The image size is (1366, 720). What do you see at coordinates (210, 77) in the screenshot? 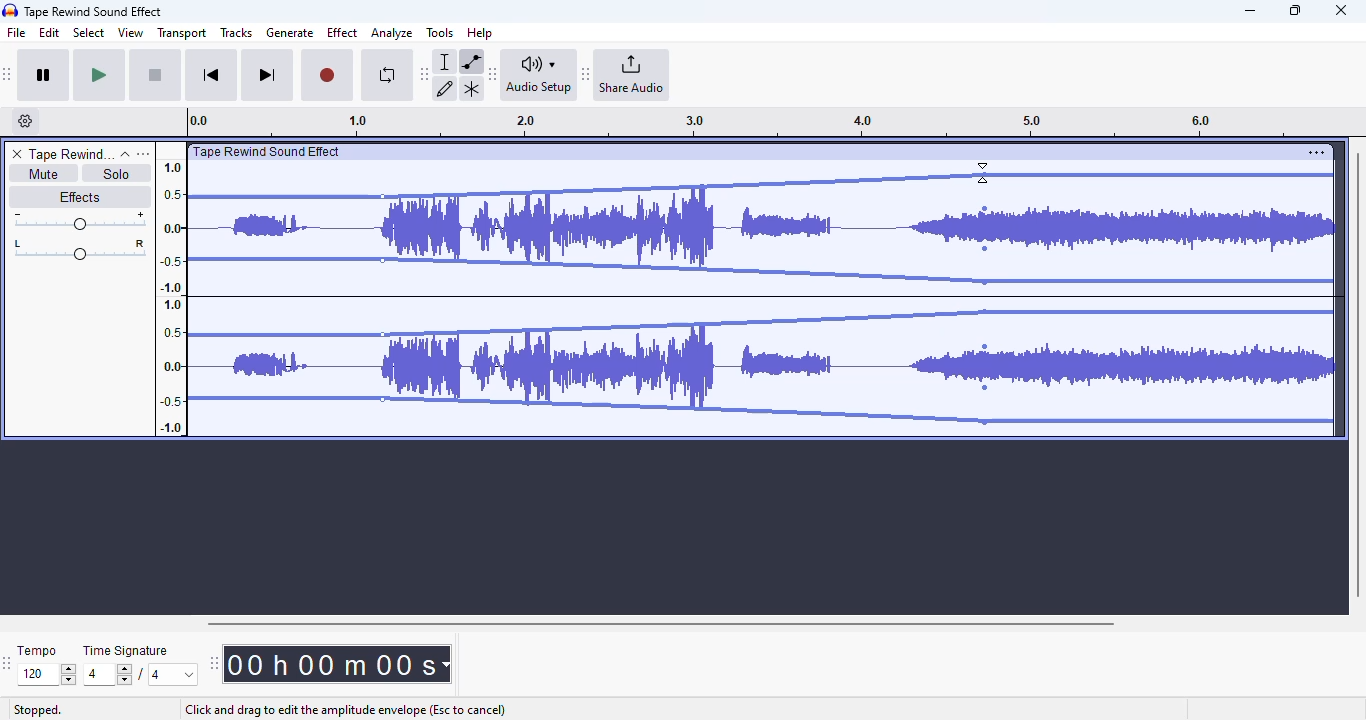
I see `skip to start` at bounding box center [210, 77].